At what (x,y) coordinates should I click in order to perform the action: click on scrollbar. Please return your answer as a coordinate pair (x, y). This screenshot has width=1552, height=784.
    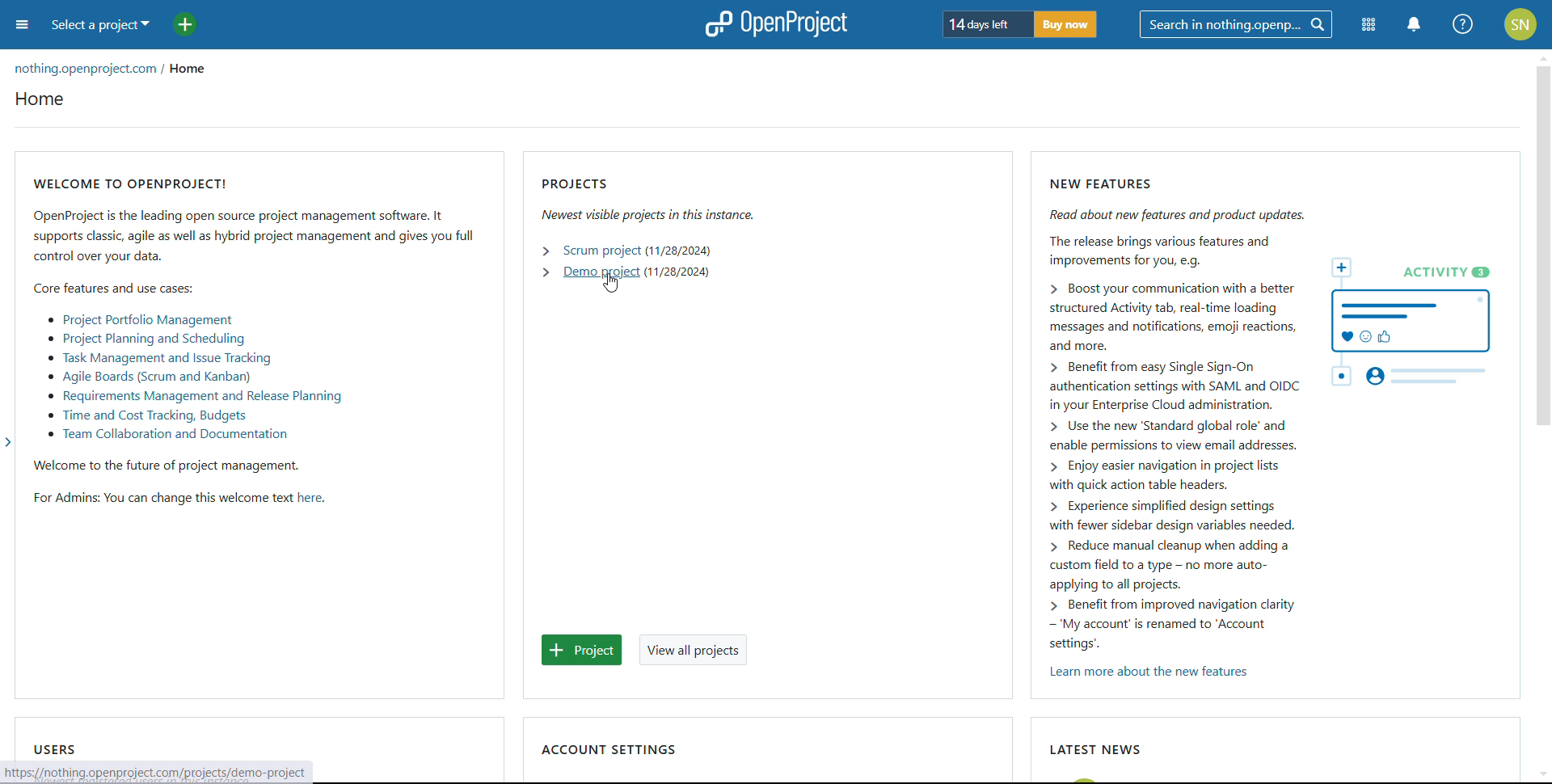
    Looking at the image, I should click on (1541, 245).